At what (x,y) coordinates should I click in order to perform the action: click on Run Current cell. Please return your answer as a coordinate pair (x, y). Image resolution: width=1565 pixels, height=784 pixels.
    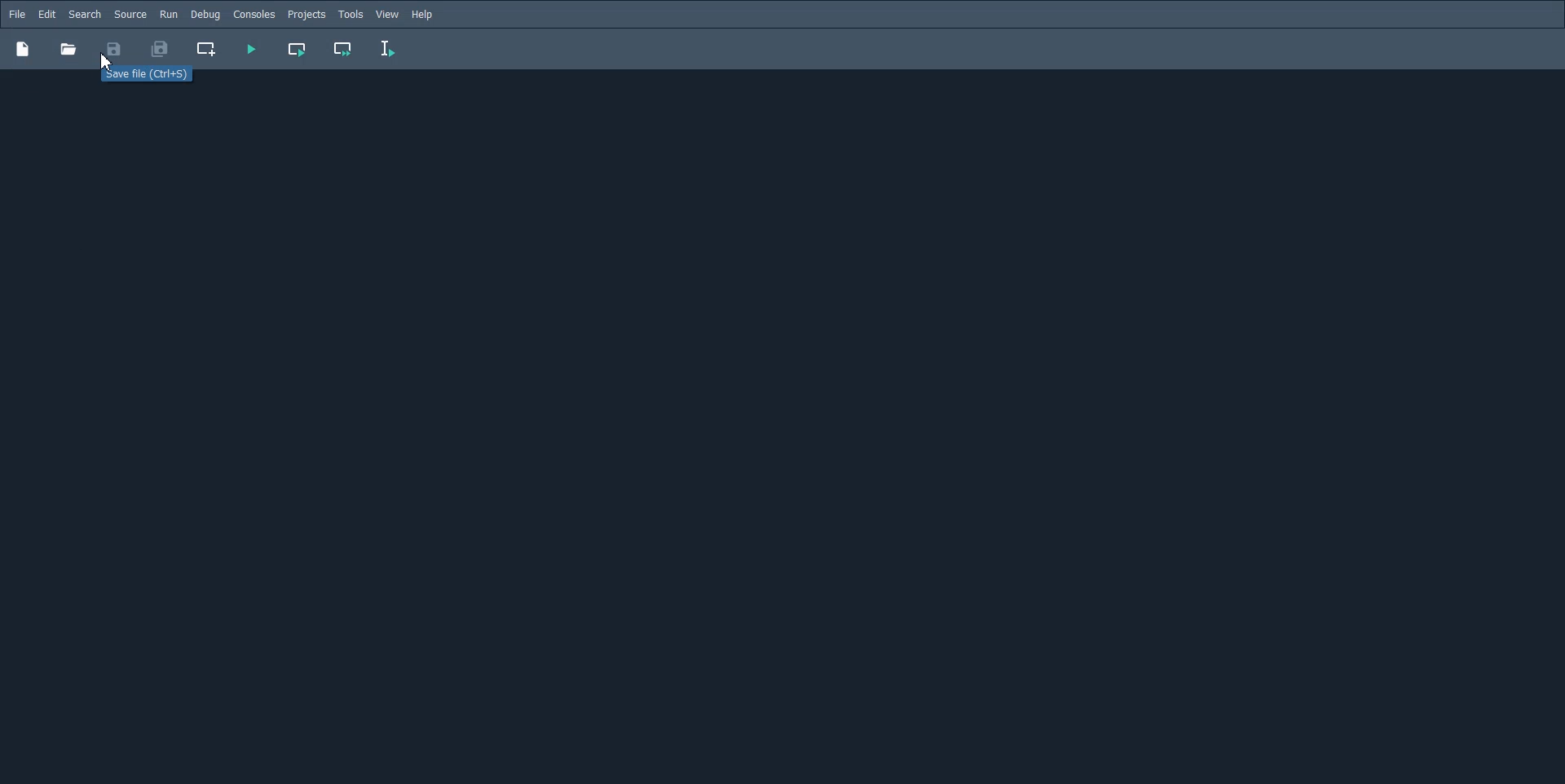
    Looking at the image, I should click on (298, 49).